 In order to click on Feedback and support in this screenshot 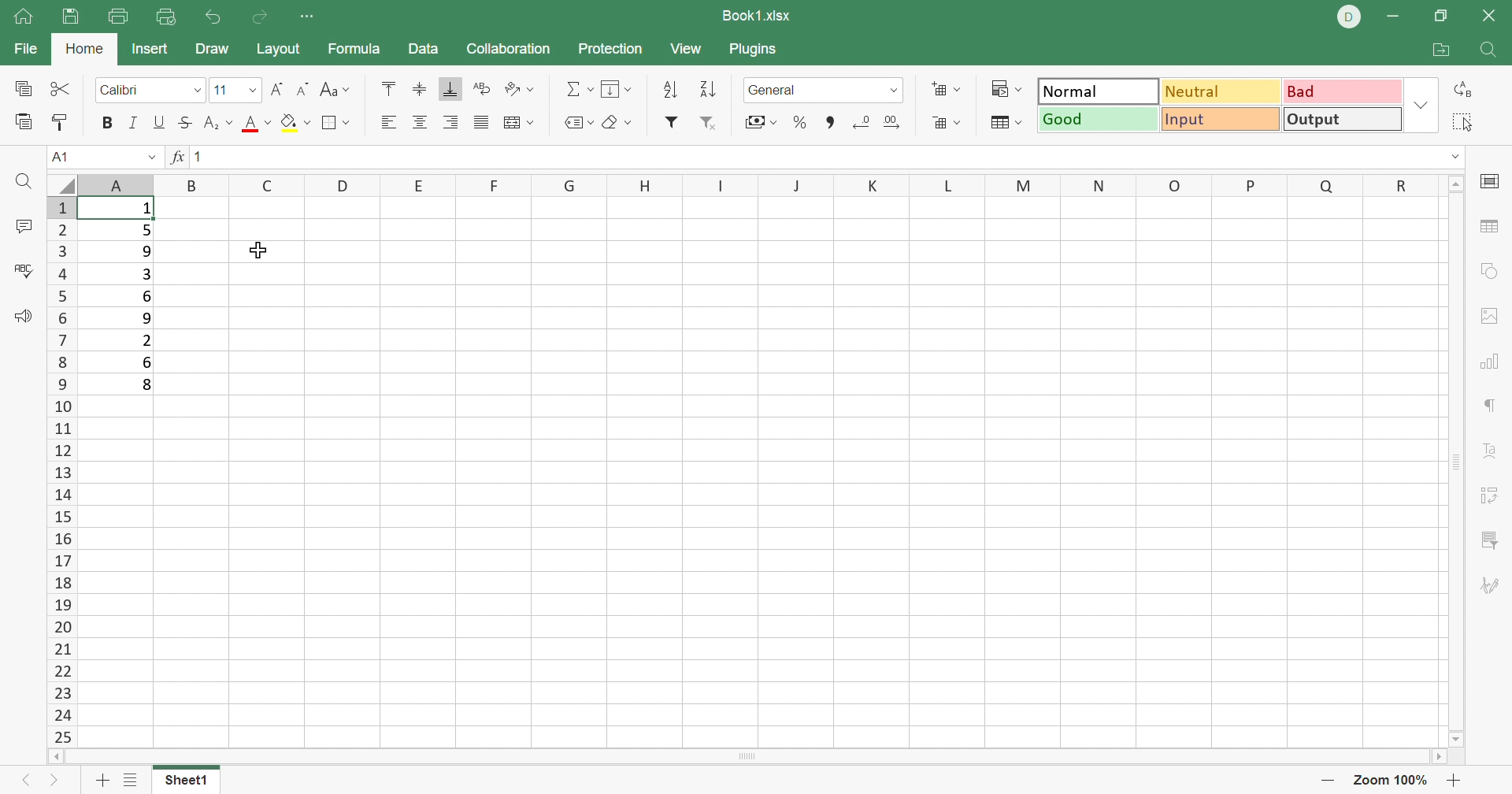, I will do `click(27, 315)`.